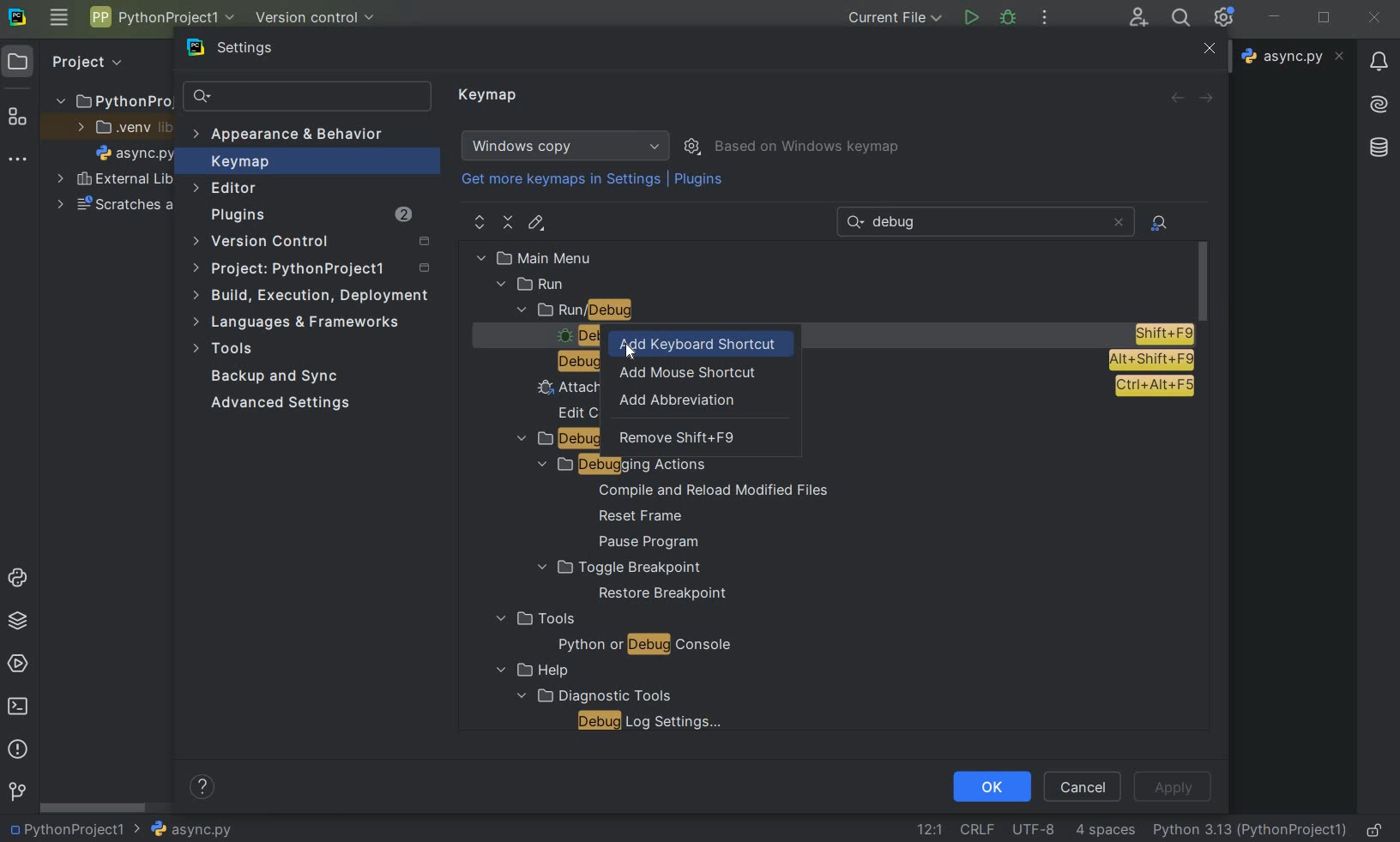 The width and height of the screenshot is (1400, 842). What do you see at coordinates (18, 118) in the screenshot?
I see `structure` at bounding box center [18, 118].